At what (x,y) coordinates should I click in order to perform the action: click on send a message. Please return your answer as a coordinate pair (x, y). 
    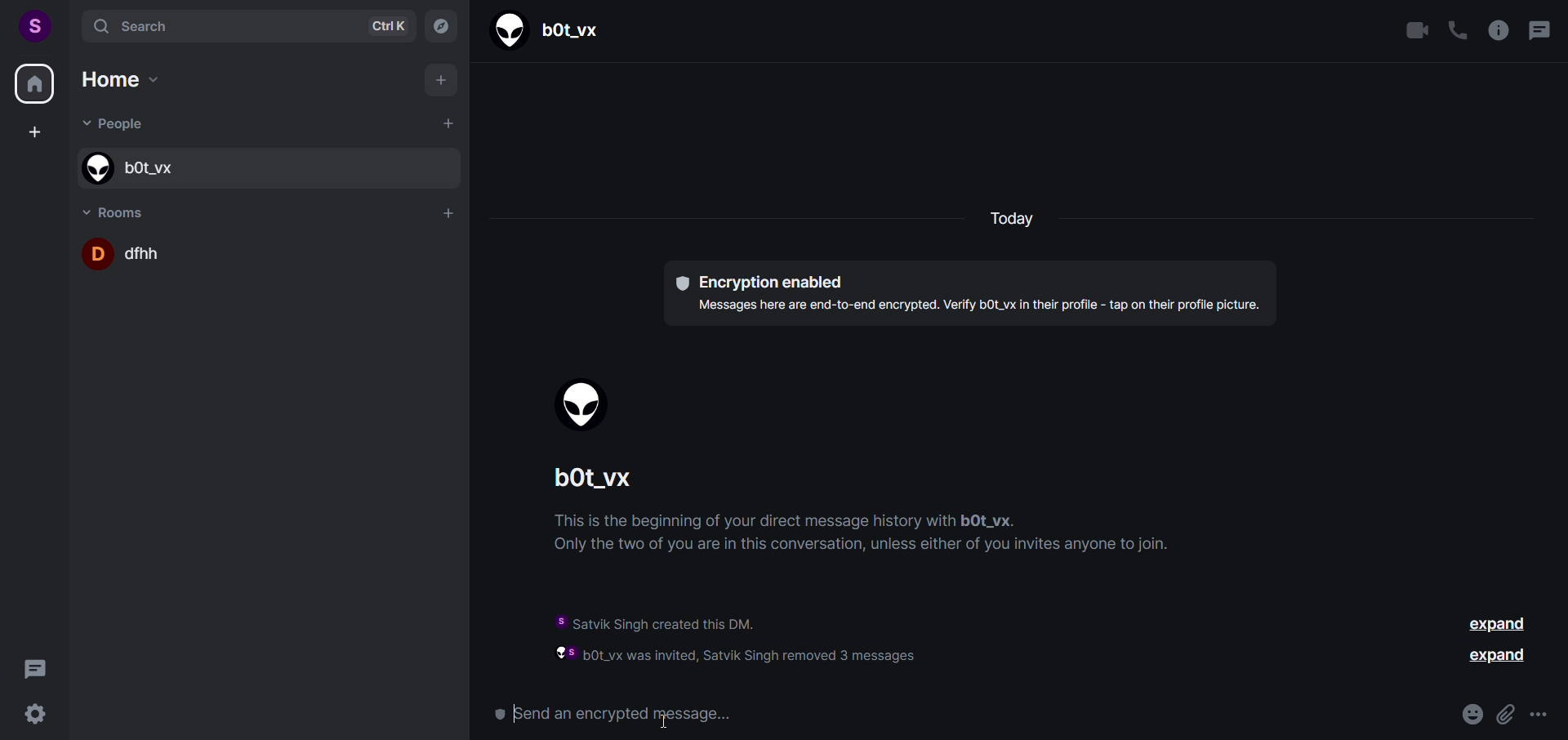
    Looking at the image, I should click on (964, 715).